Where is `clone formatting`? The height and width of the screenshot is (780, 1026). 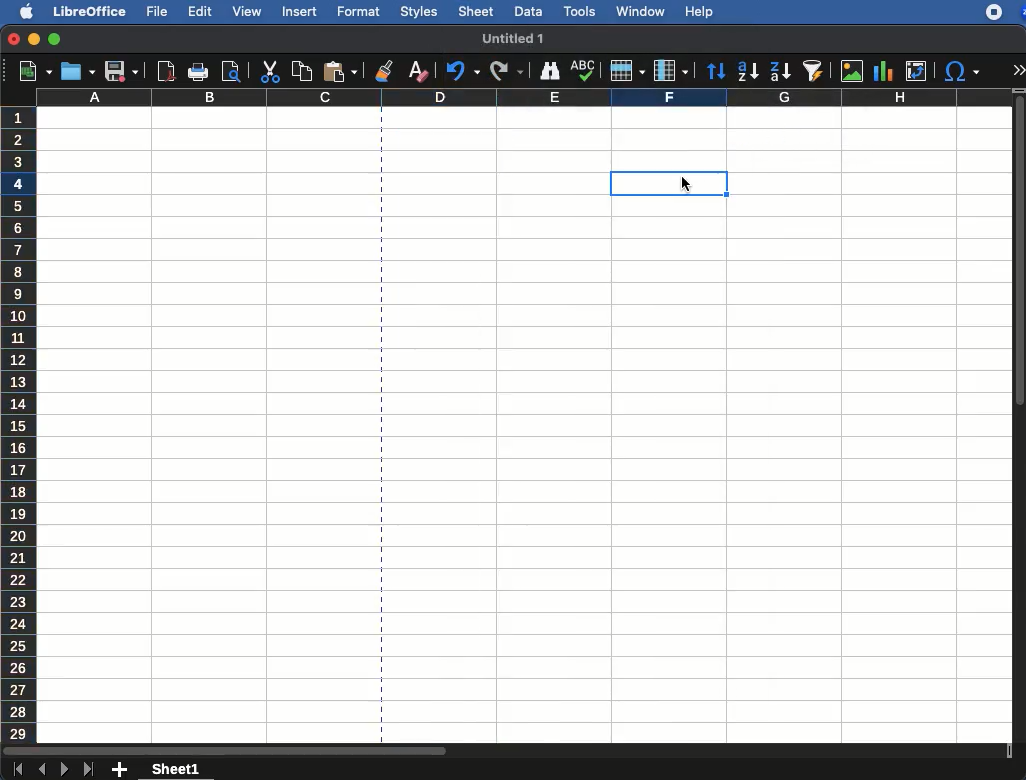 clone formatting is located at coordinates (383, 70).